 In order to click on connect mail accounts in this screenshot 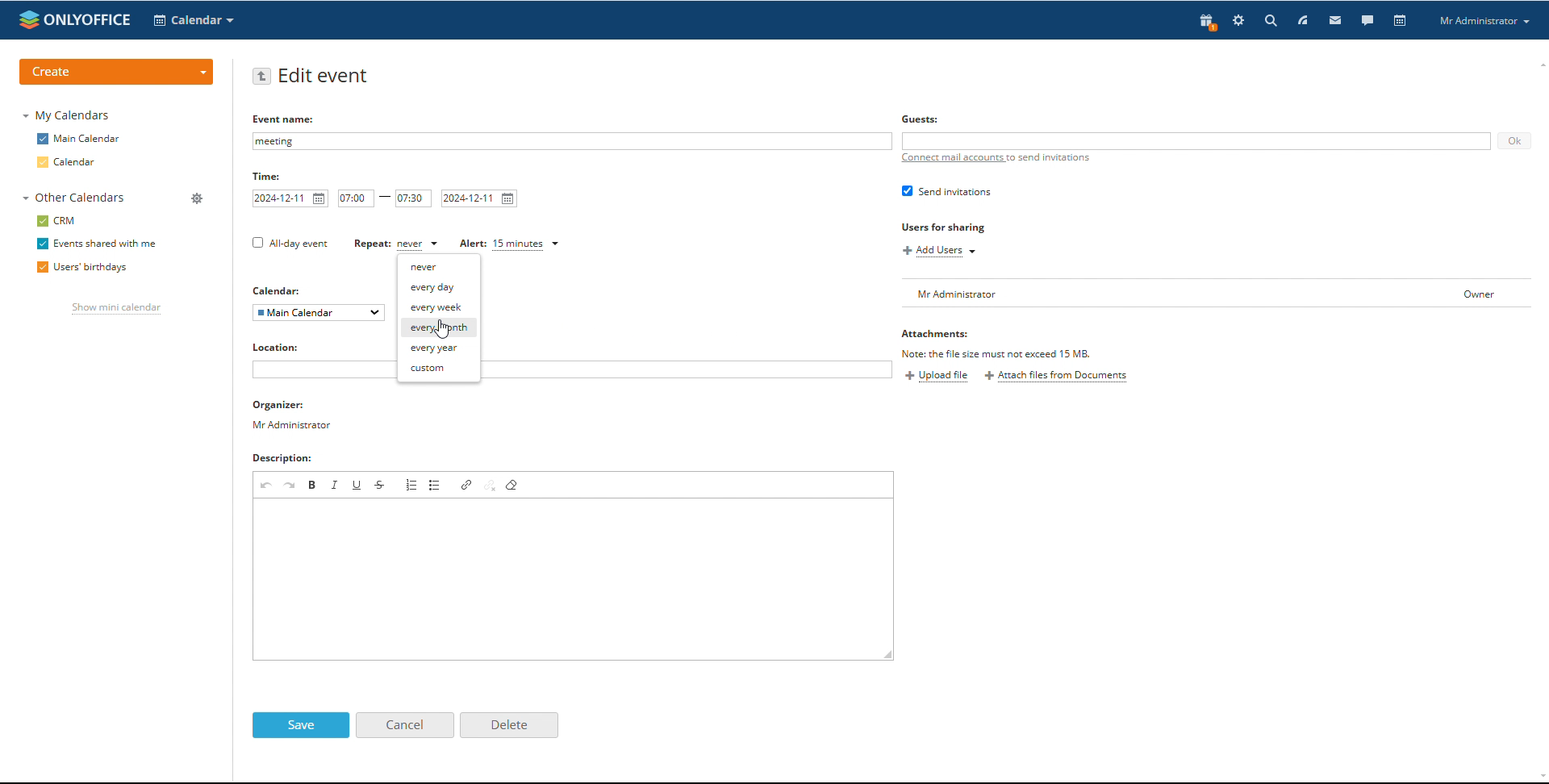, I will do `click(997, 157)`.